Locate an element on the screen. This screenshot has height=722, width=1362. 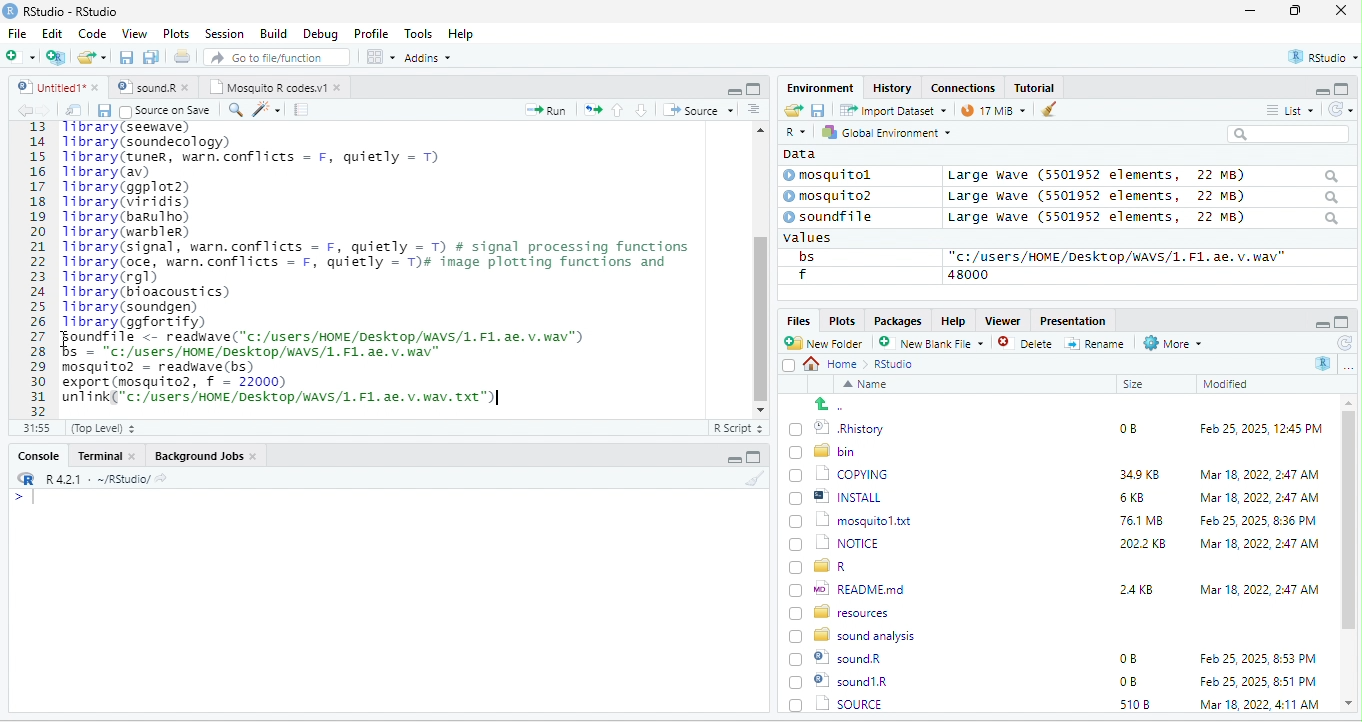
search is located at coordinates (1288, 134).